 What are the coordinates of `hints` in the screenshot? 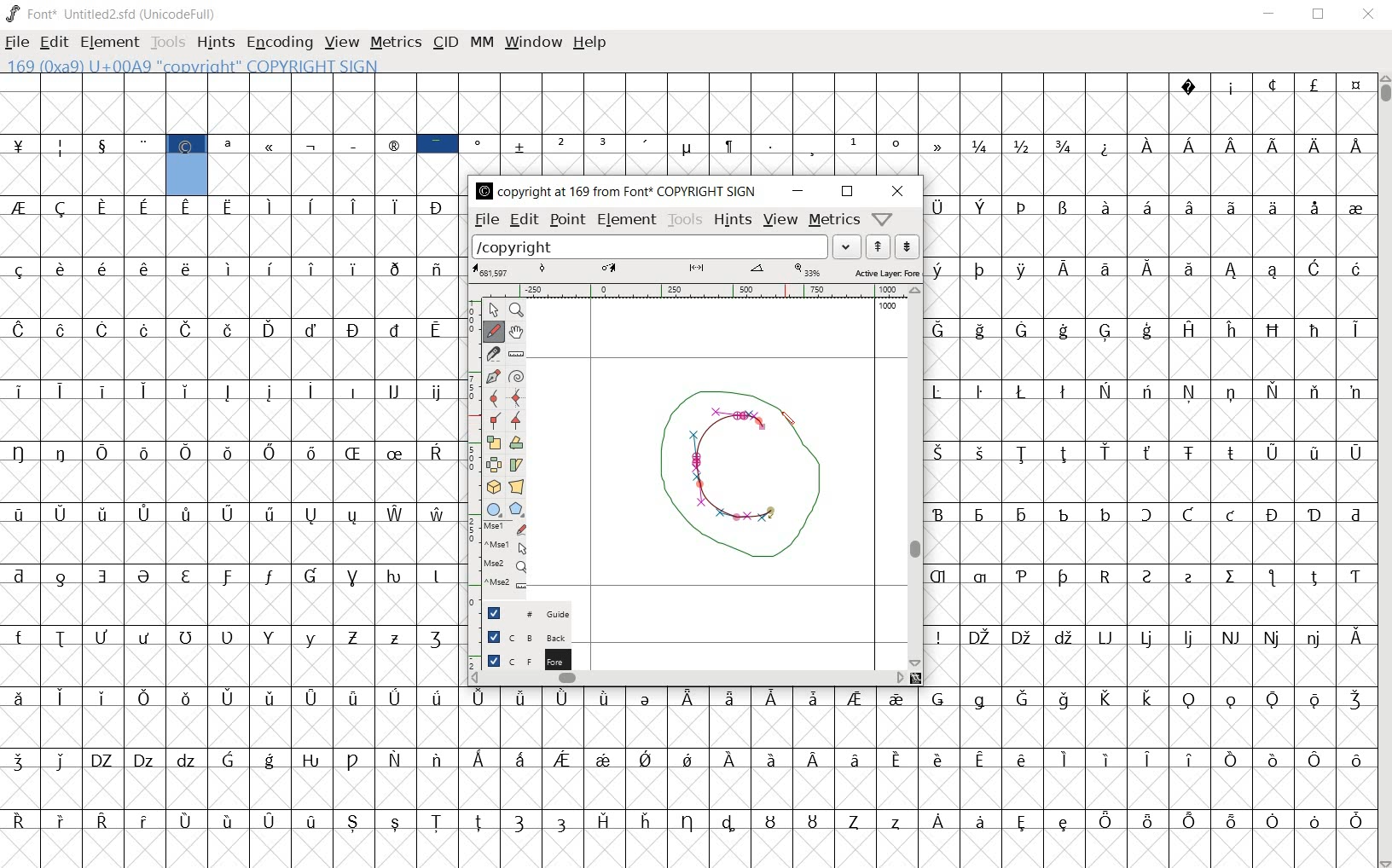 It's located at (731, 219).